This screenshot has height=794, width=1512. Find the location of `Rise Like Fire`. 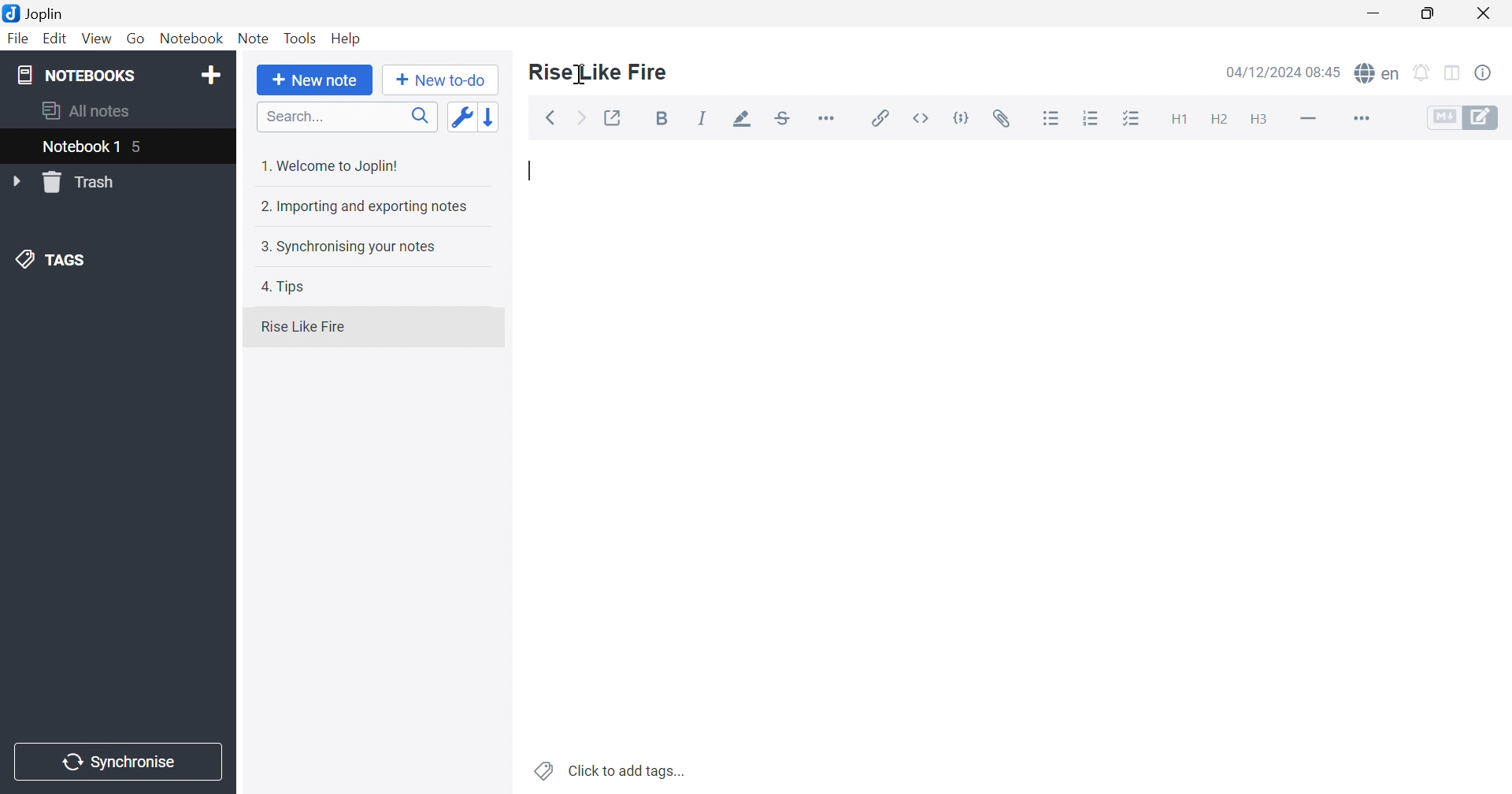

Rise Like Fire is located at coordinates (309, 326).